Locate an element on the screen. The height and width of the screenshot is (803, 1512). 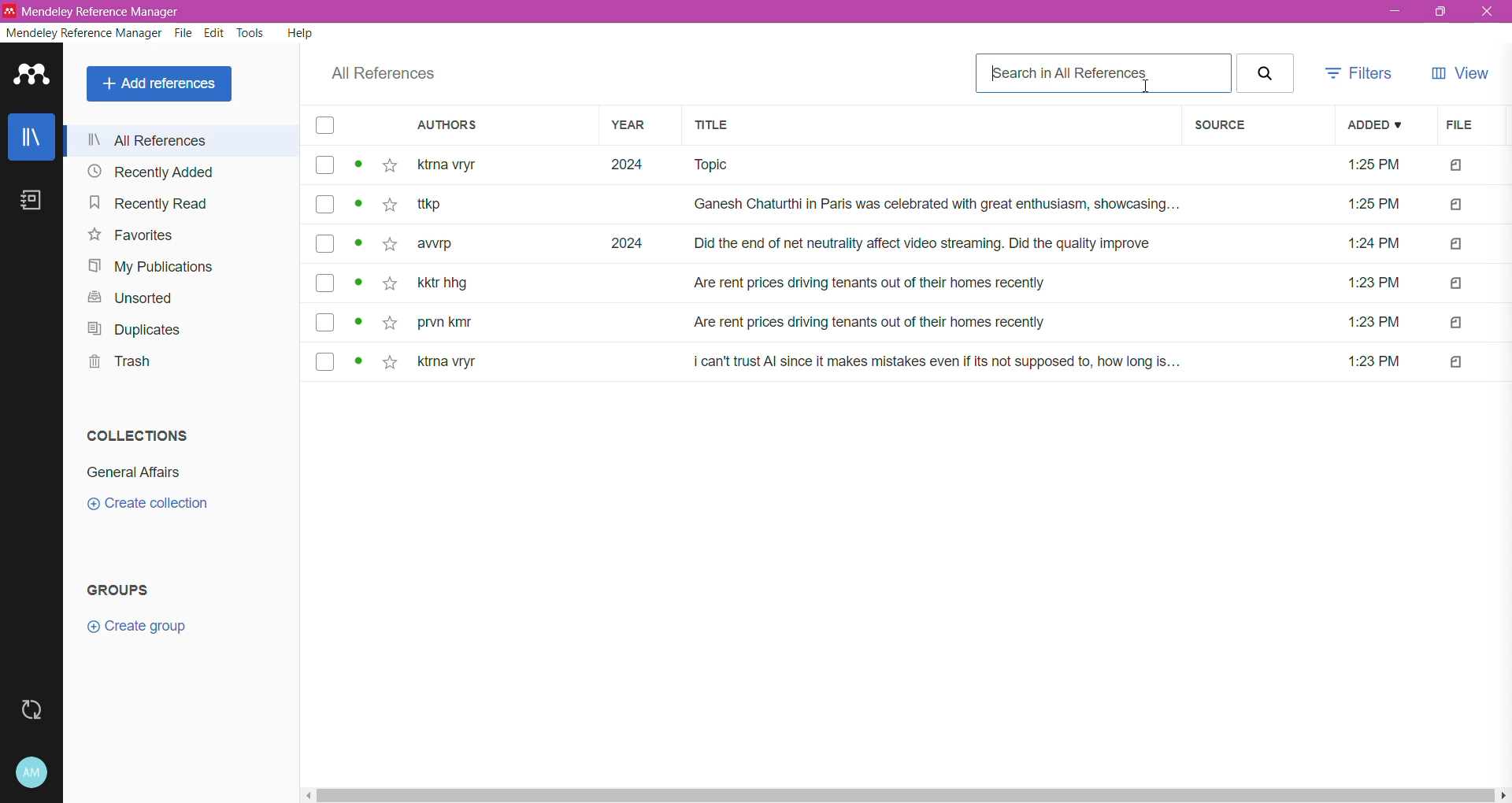
 ttkp Ganesh Chaturthi in Paris was celebrated with great enthusiasm, showcasing...   1:25 PM is located at coordinates (915, 206).